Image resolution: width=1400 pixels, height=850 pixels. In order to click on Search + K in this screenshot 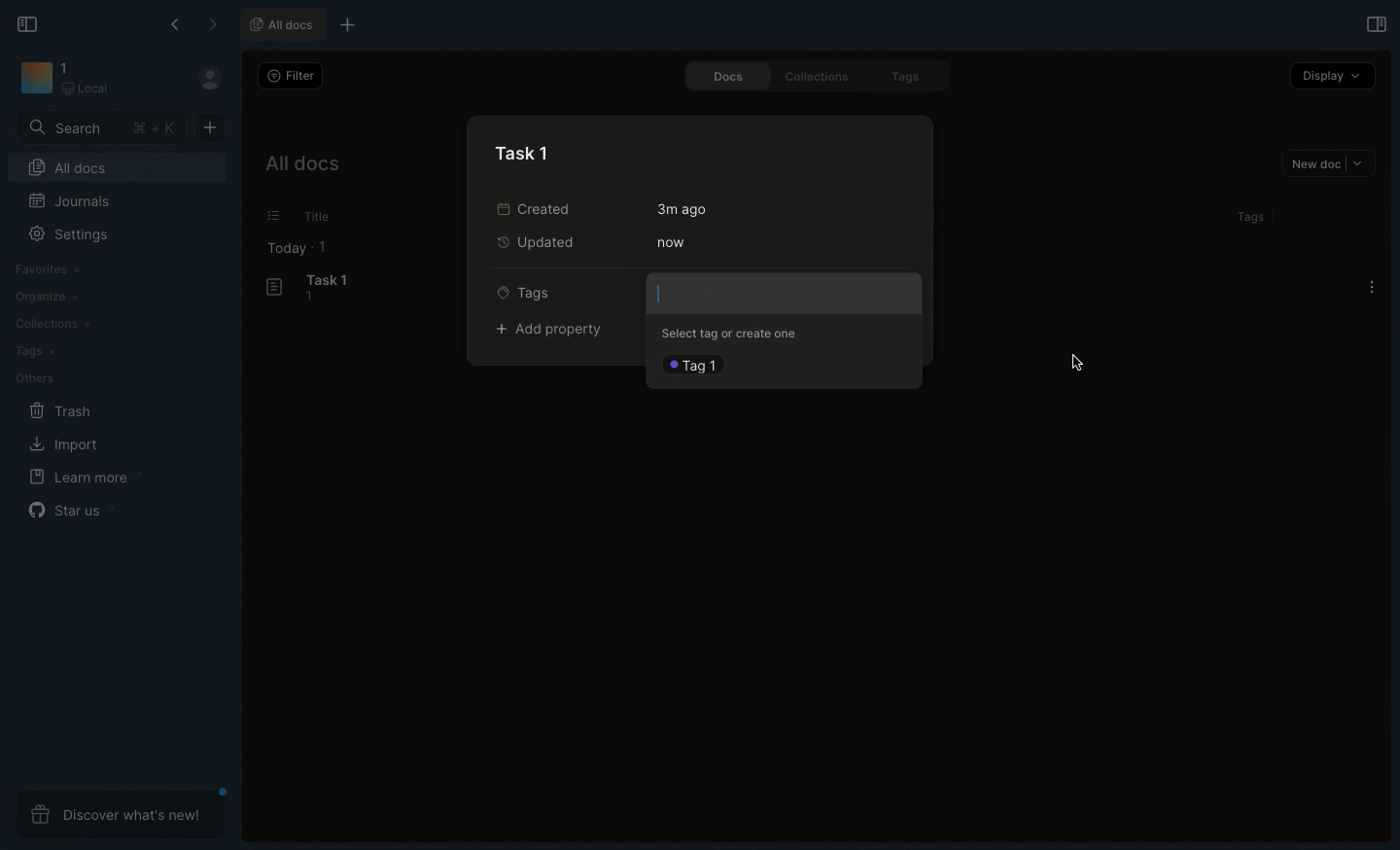, I will do `click(99, 128)`.